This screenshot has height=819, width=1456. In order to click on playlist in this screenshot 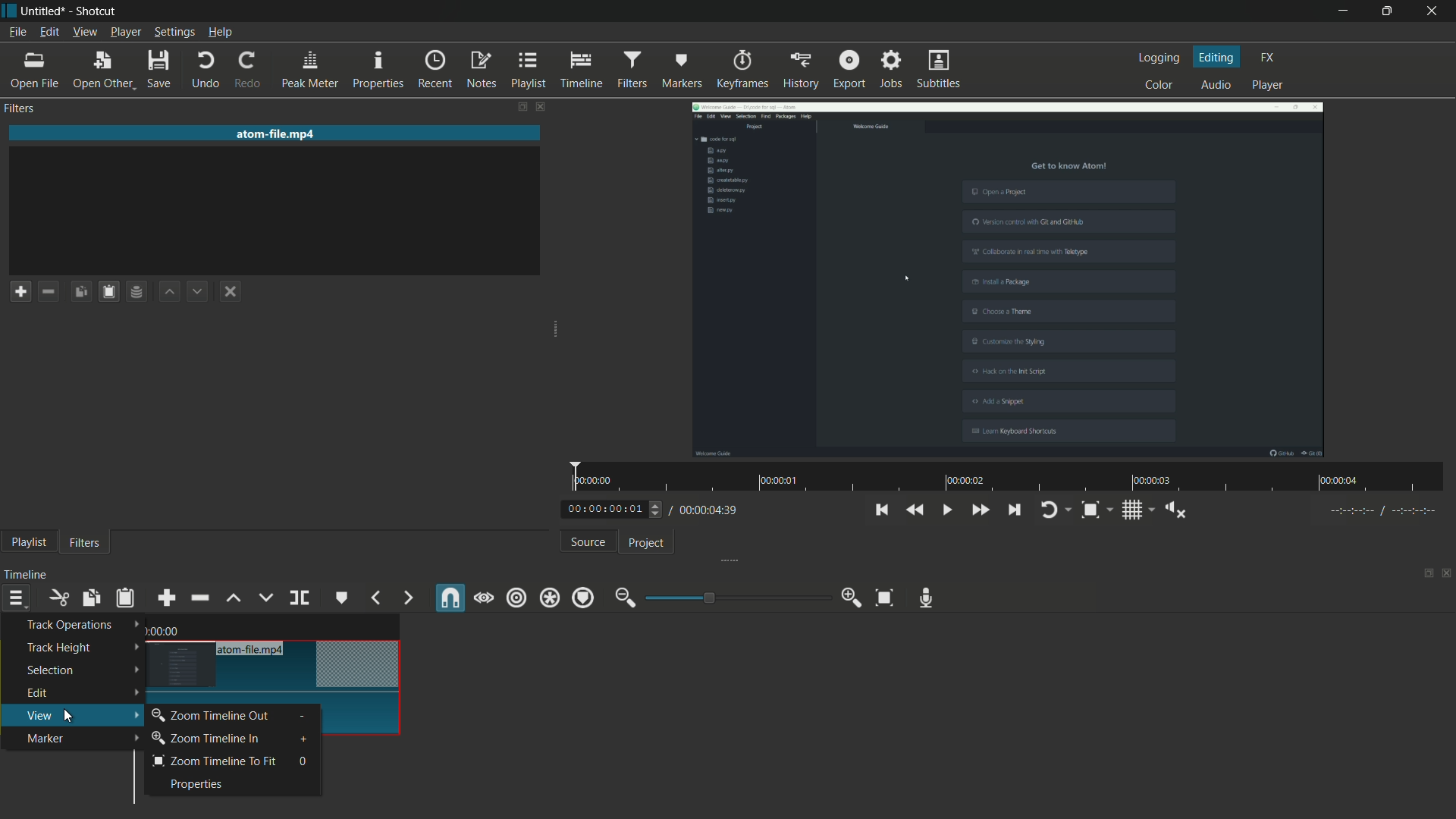, I will do `click(29, 542)`.